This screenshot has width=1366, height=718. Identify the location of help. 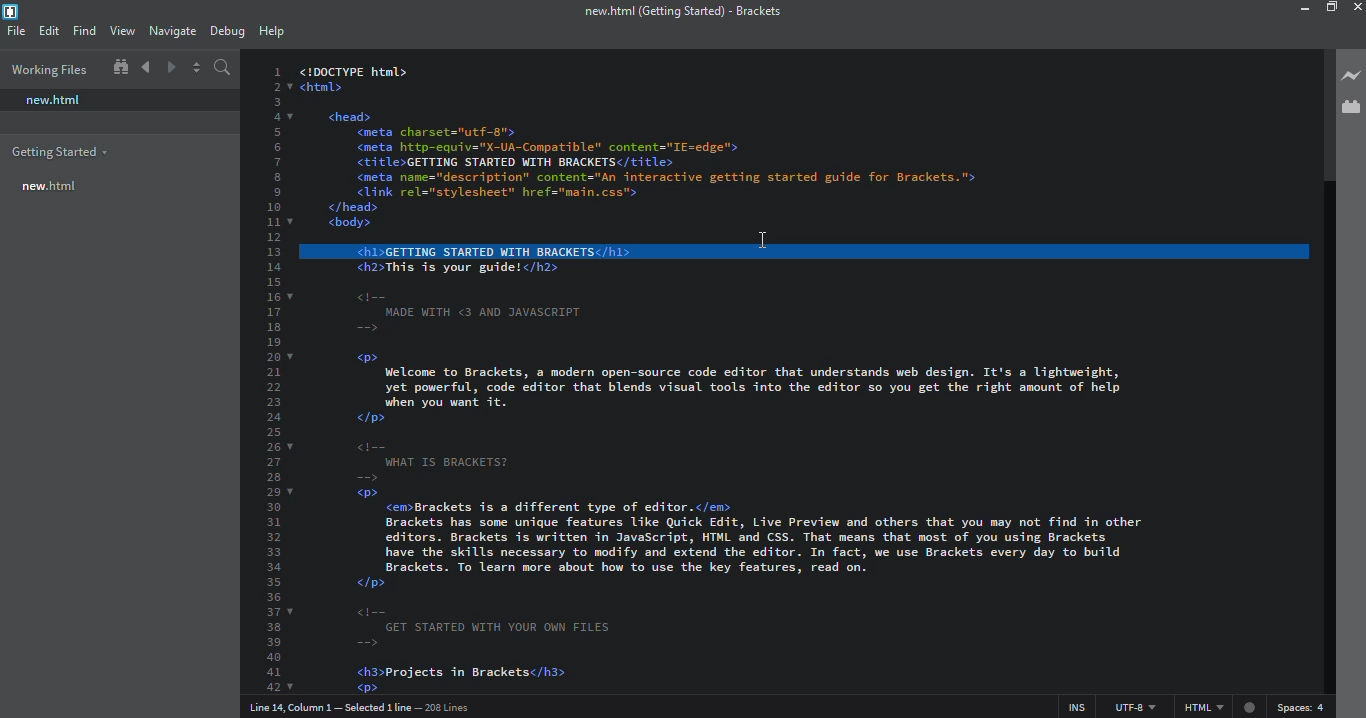
(270, 28).